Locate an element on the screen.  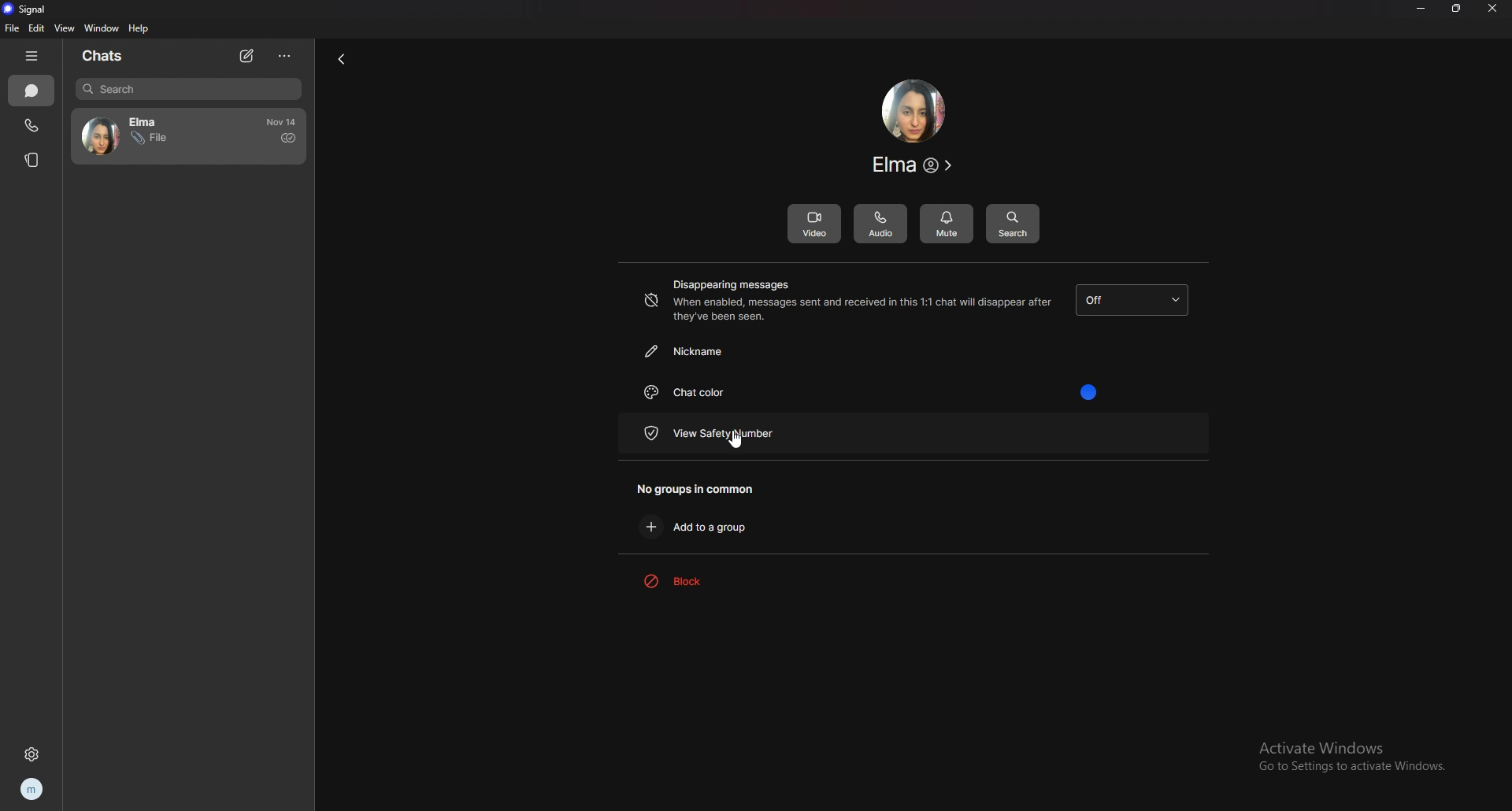
view safety number is located at coordinates (751, 432).